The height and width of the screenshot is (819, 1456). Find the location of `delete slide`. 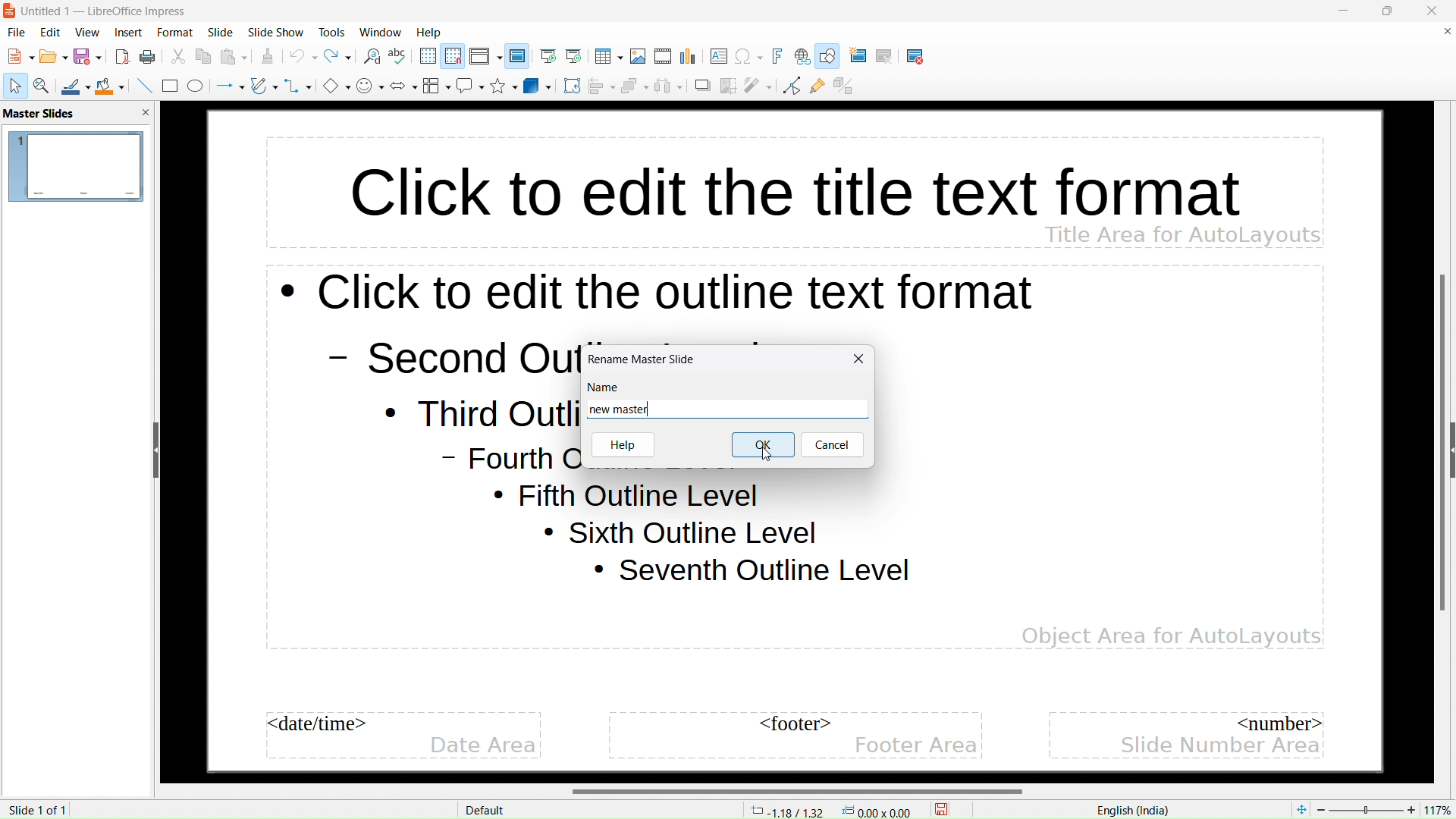

delete slide is located at coordinates (918, 58).